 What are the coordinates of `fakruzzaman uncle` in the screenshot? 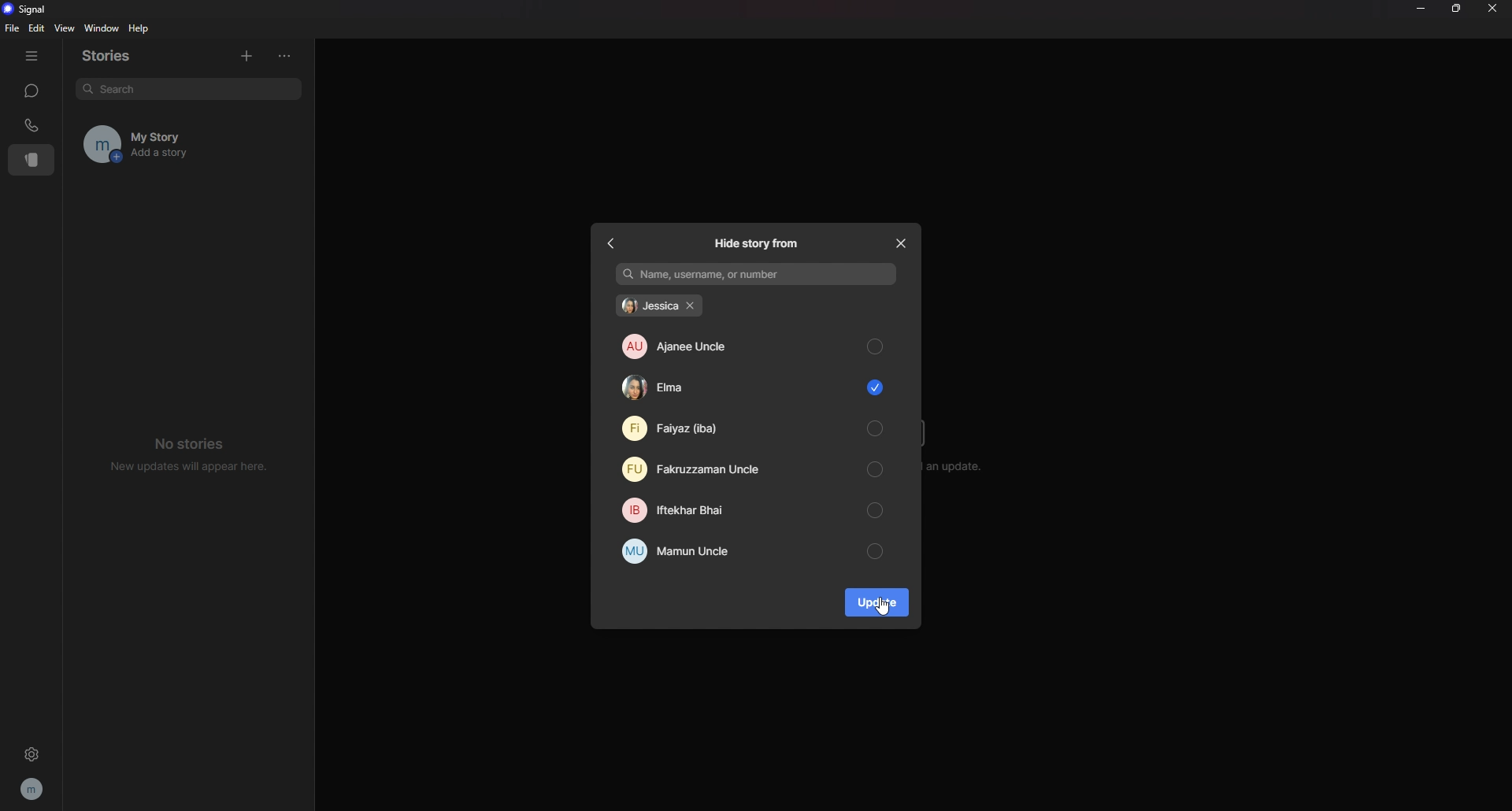 It's located at (748, 469).